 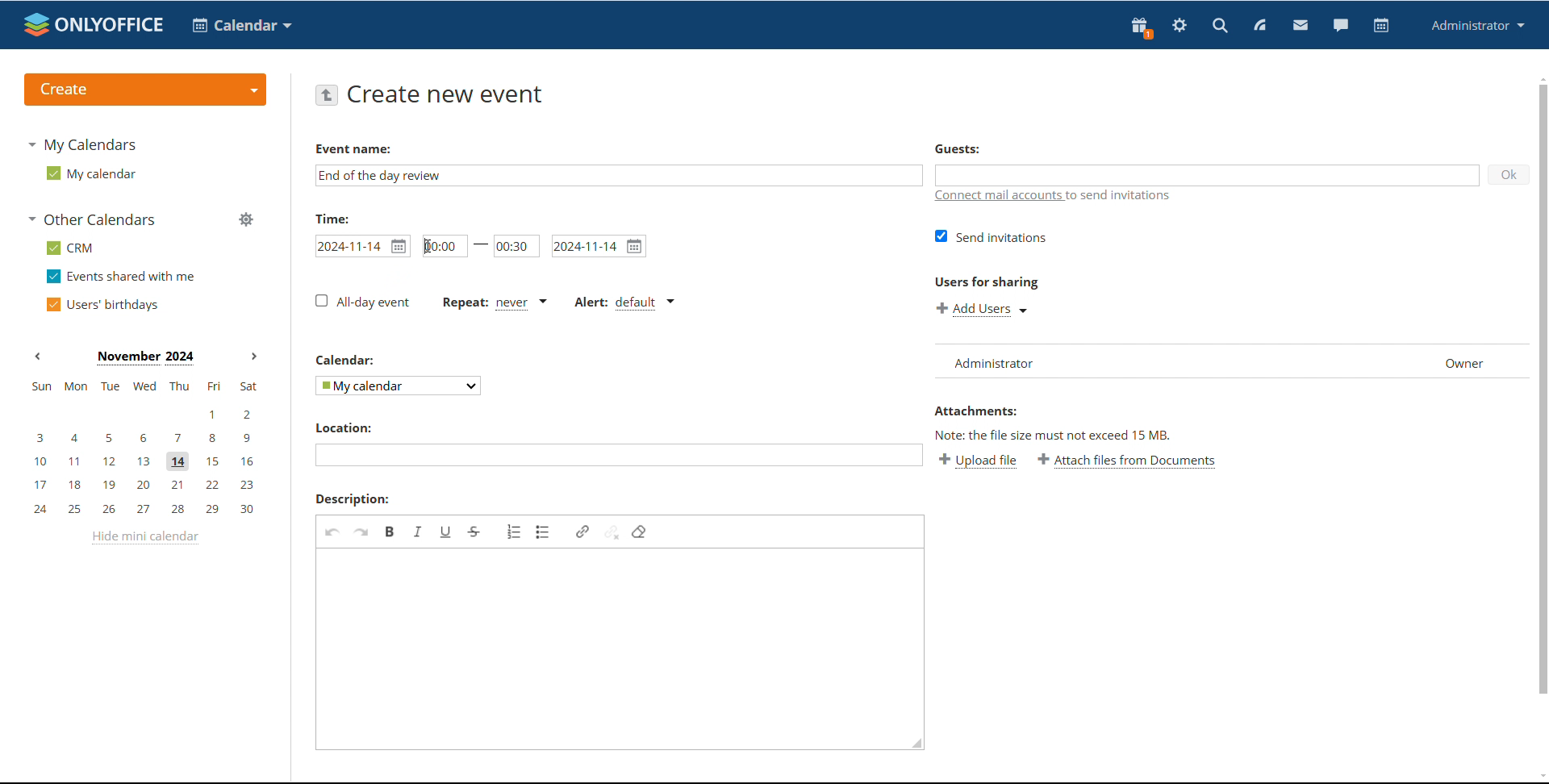 I want to click on logo, so click(x=94, y=24).